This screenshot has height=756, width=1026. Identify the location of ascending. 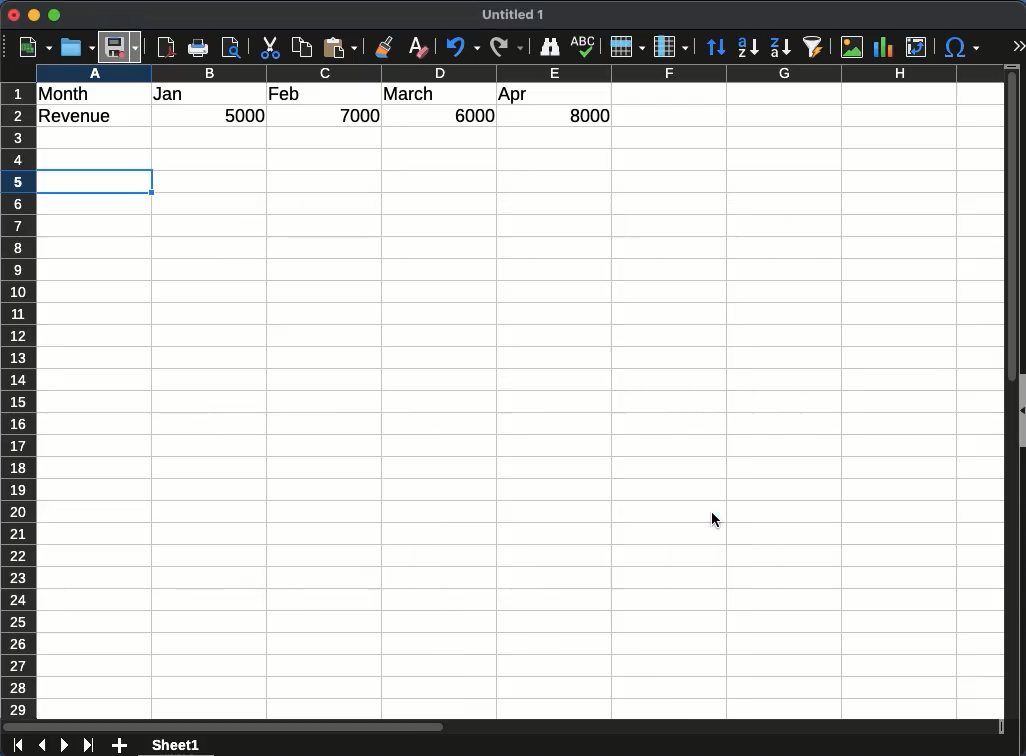
(748, 47).